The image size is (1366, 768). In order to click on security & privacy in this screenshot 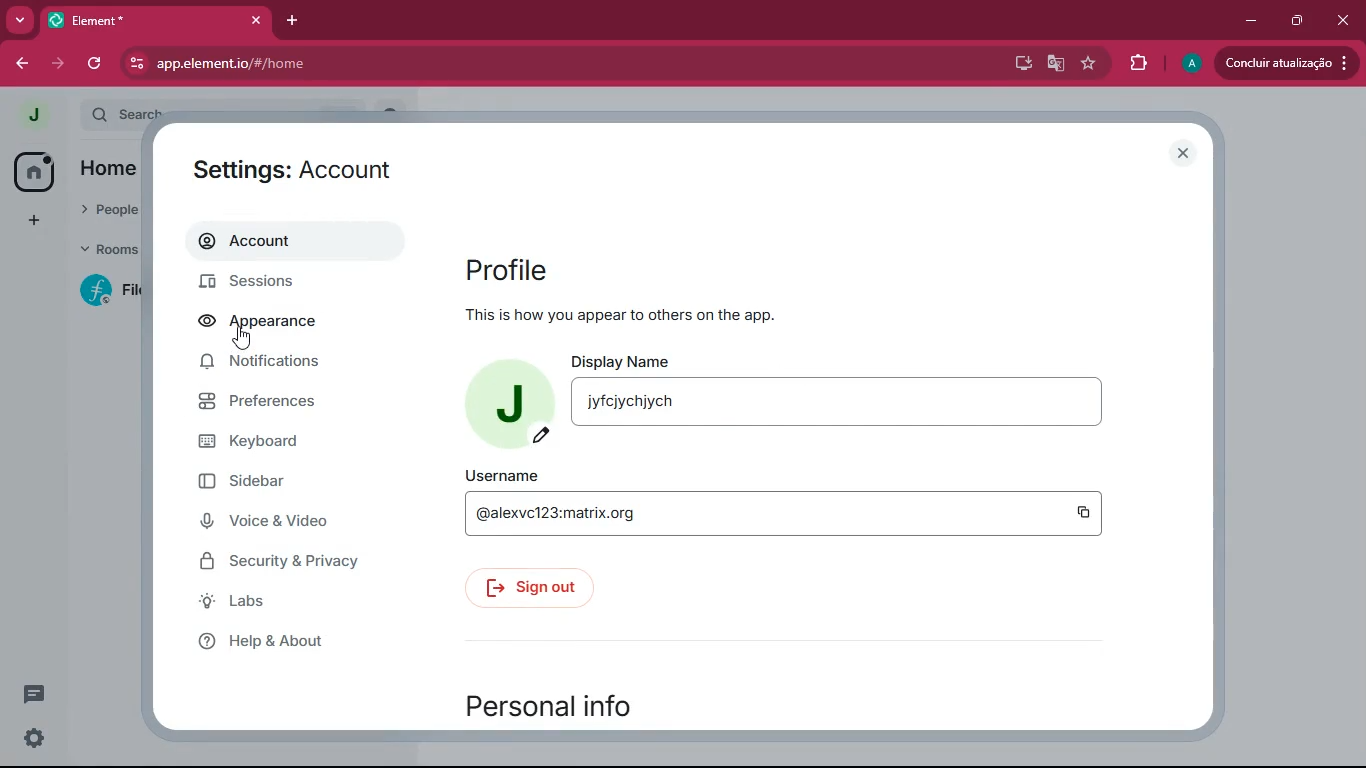, I will do `click(285, 560)`.